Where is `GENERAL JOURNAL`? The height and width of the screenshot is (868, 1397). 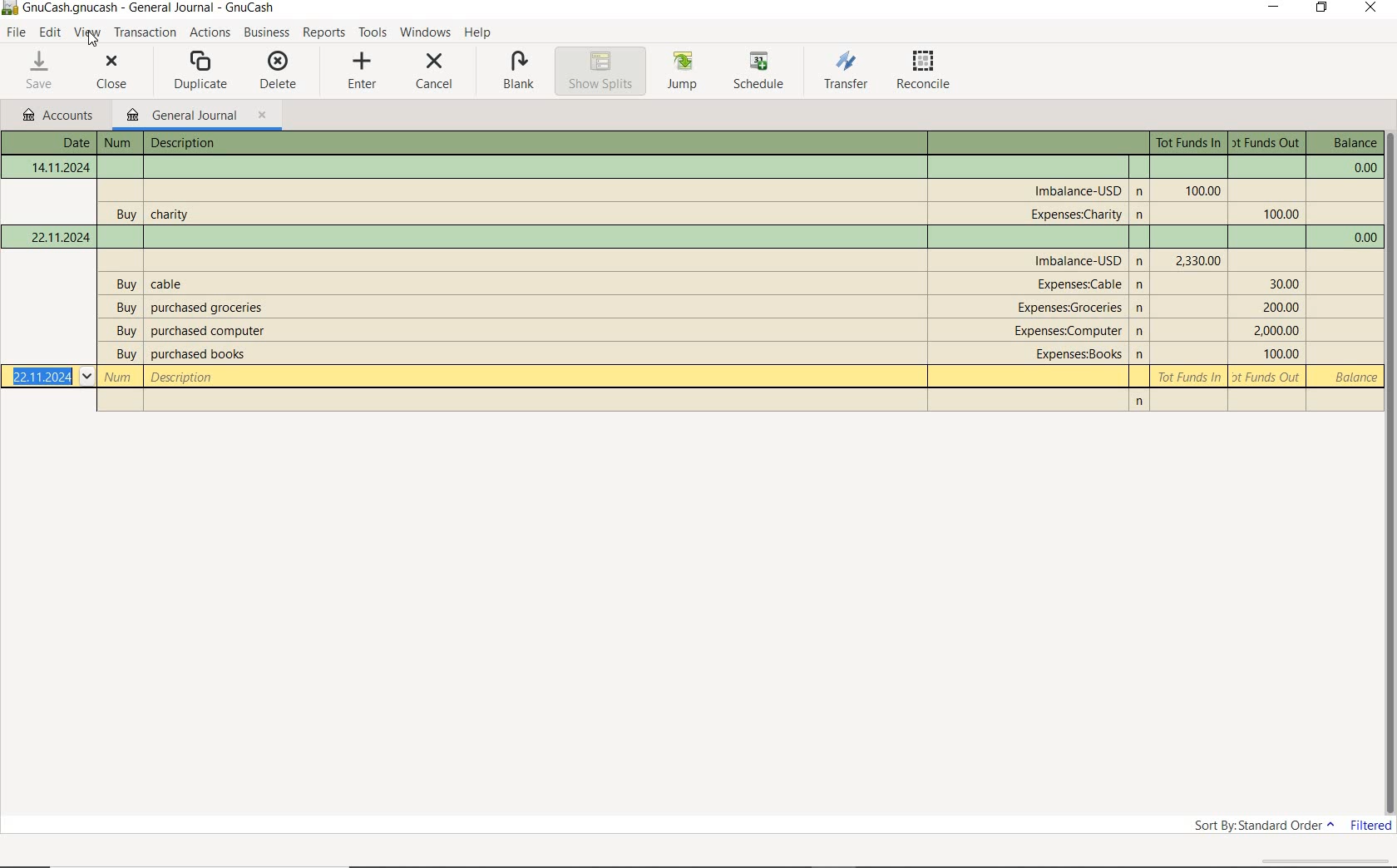 GENERAL JOURNAL is located at coordinates (195, 116).